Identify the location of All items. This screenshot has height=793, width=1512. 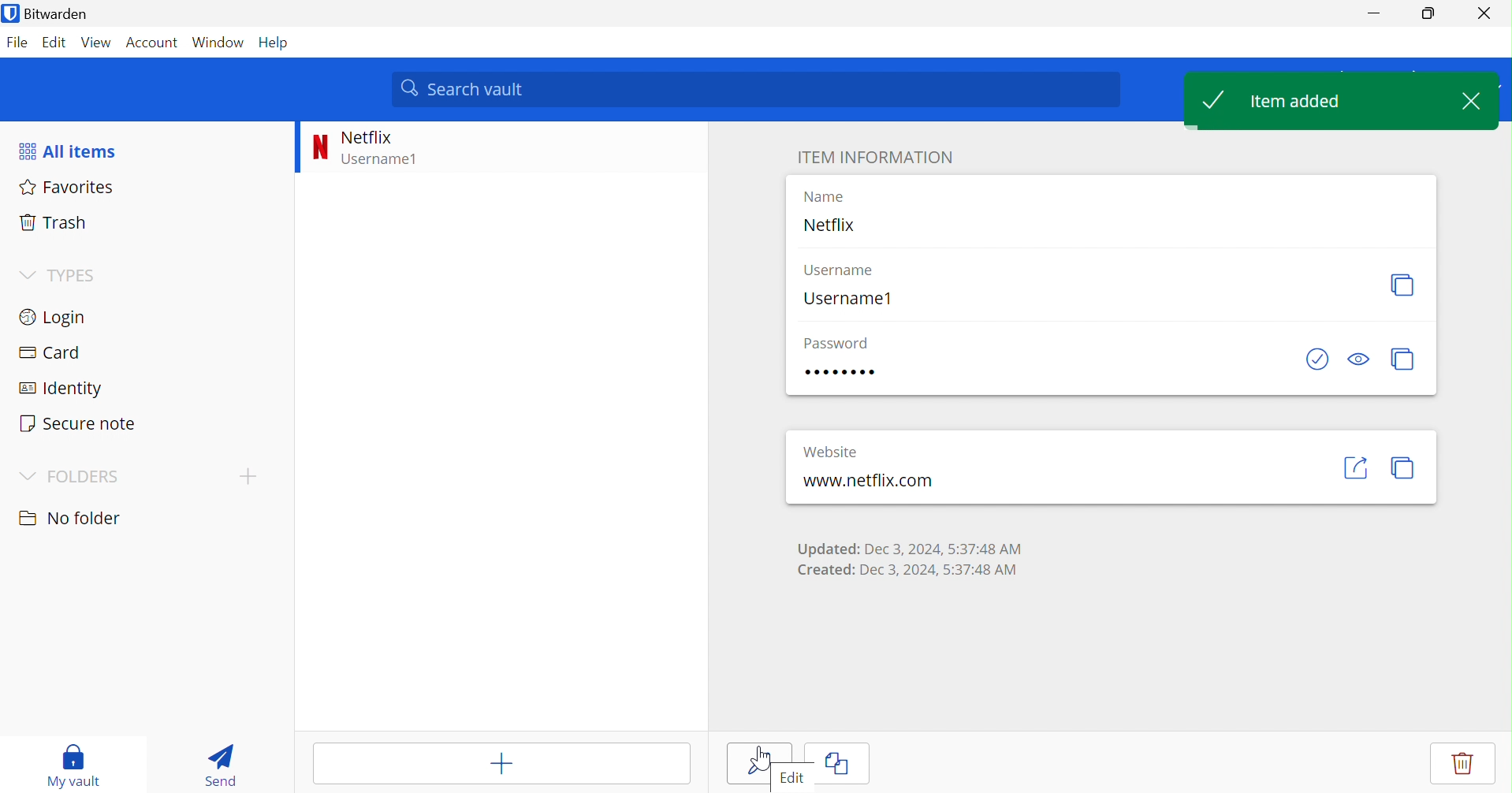
(68, 149).